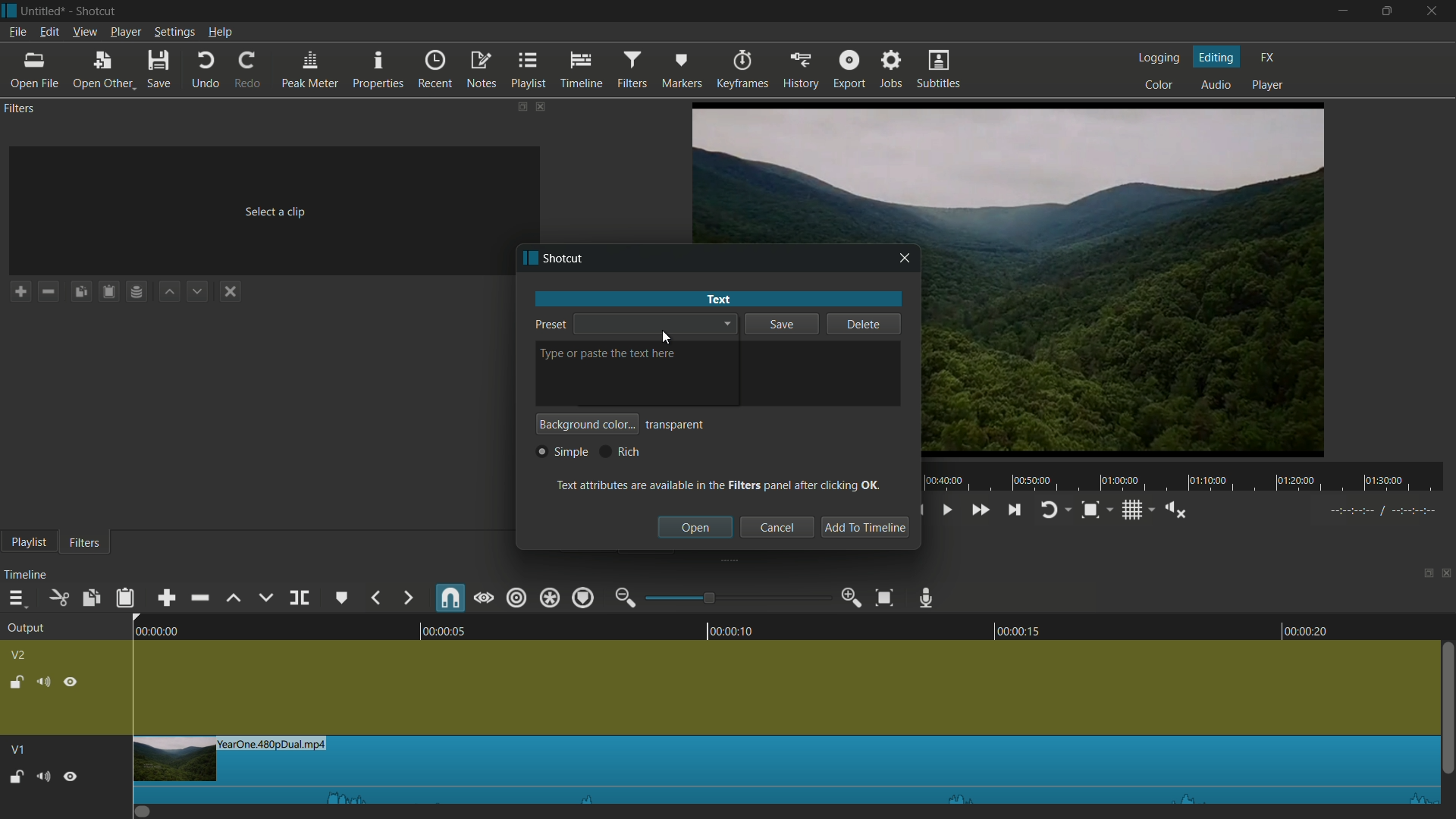  Describe the element at coordinates (148, 629) in the screenshot. I see `00:00:00` at that location.